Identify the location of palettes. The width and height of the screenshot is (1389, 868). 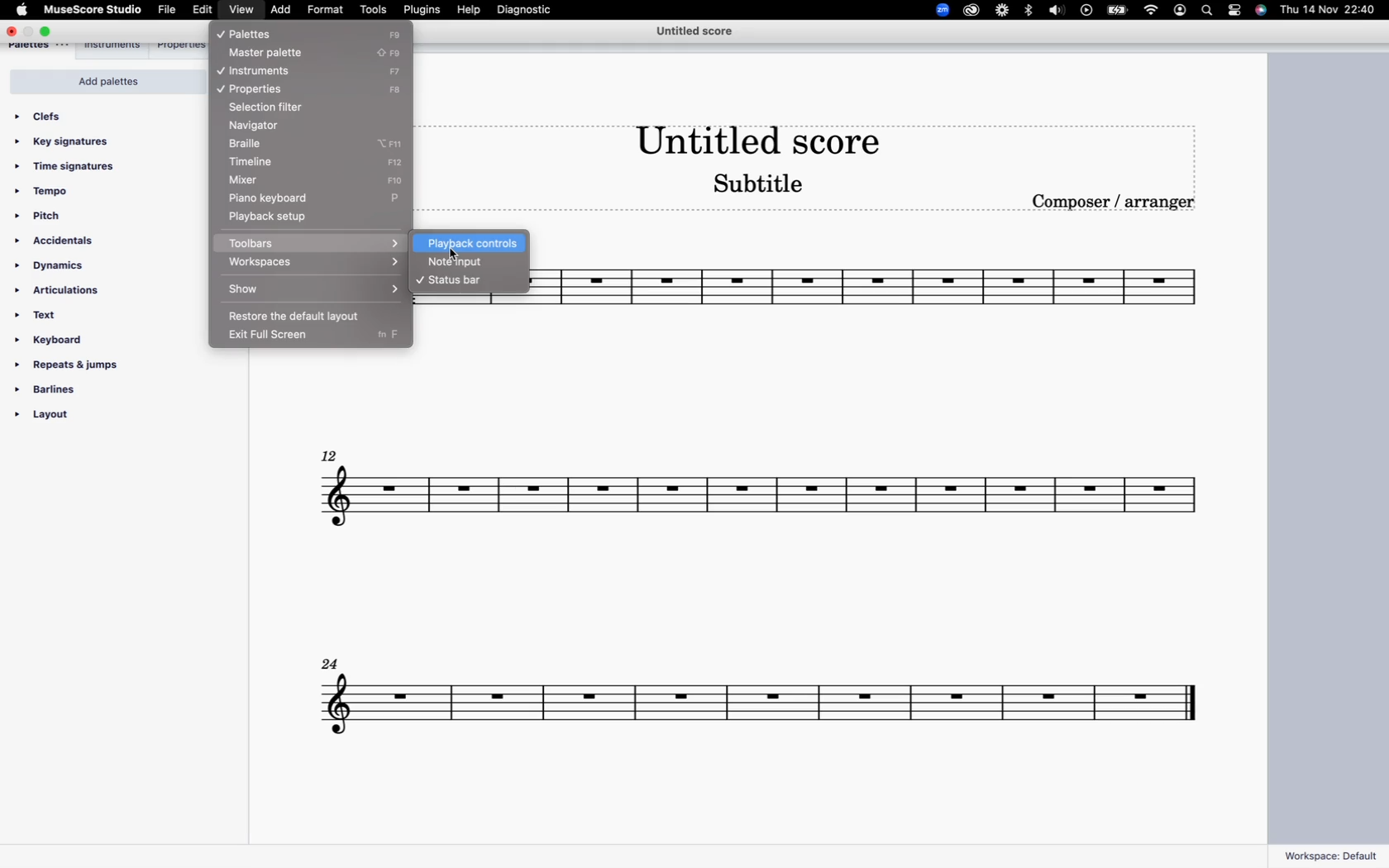
(41, 48).